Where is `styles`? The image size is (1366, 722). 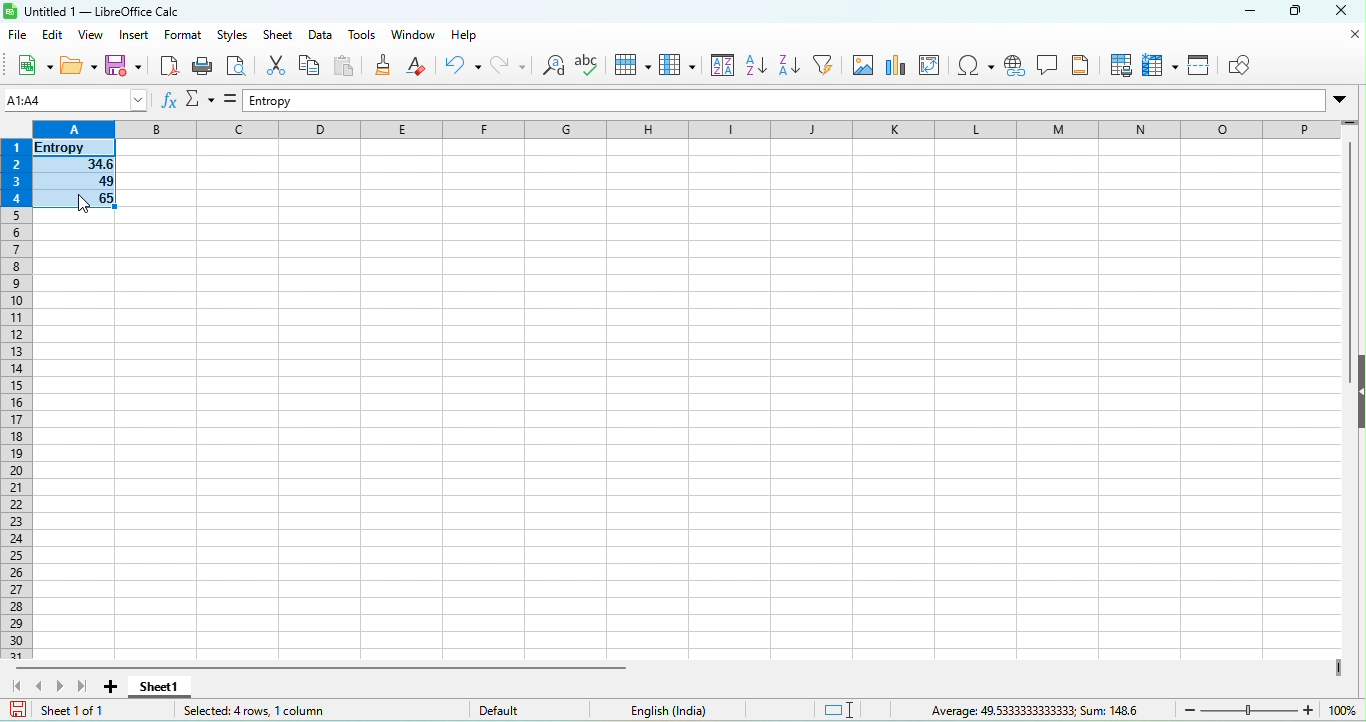 styles is located at coordinates (235, 36).